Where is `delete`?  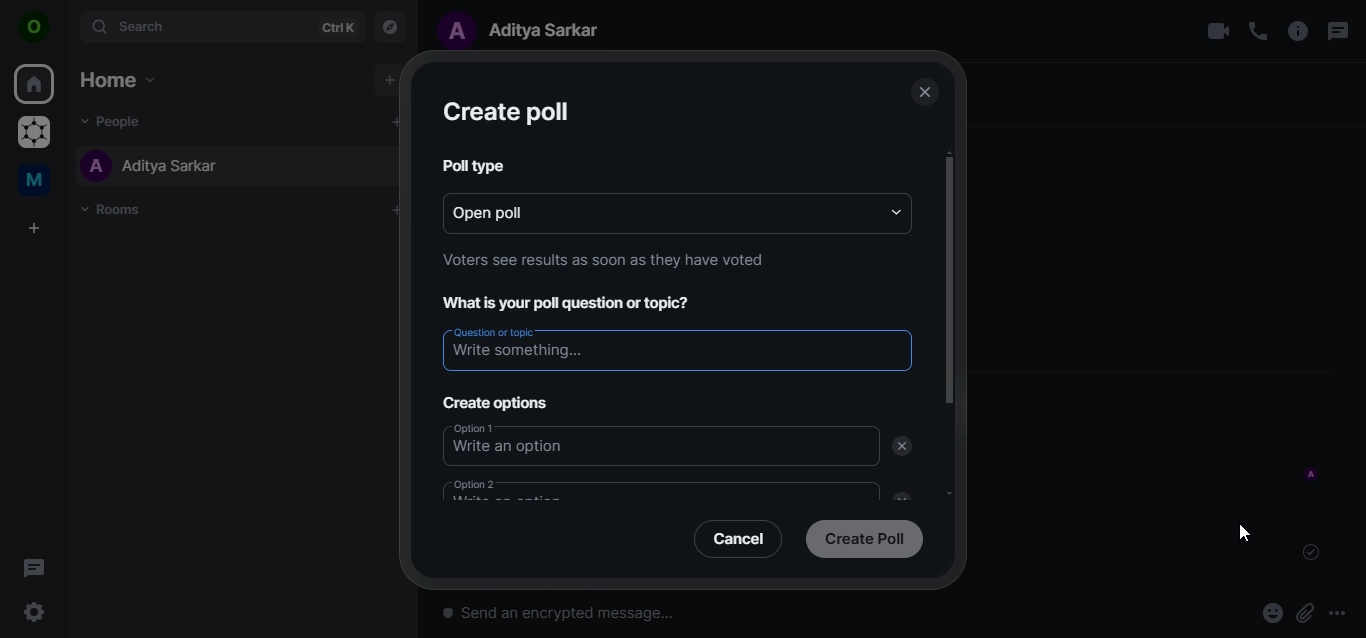
delete is located at coordinates (902, 447).